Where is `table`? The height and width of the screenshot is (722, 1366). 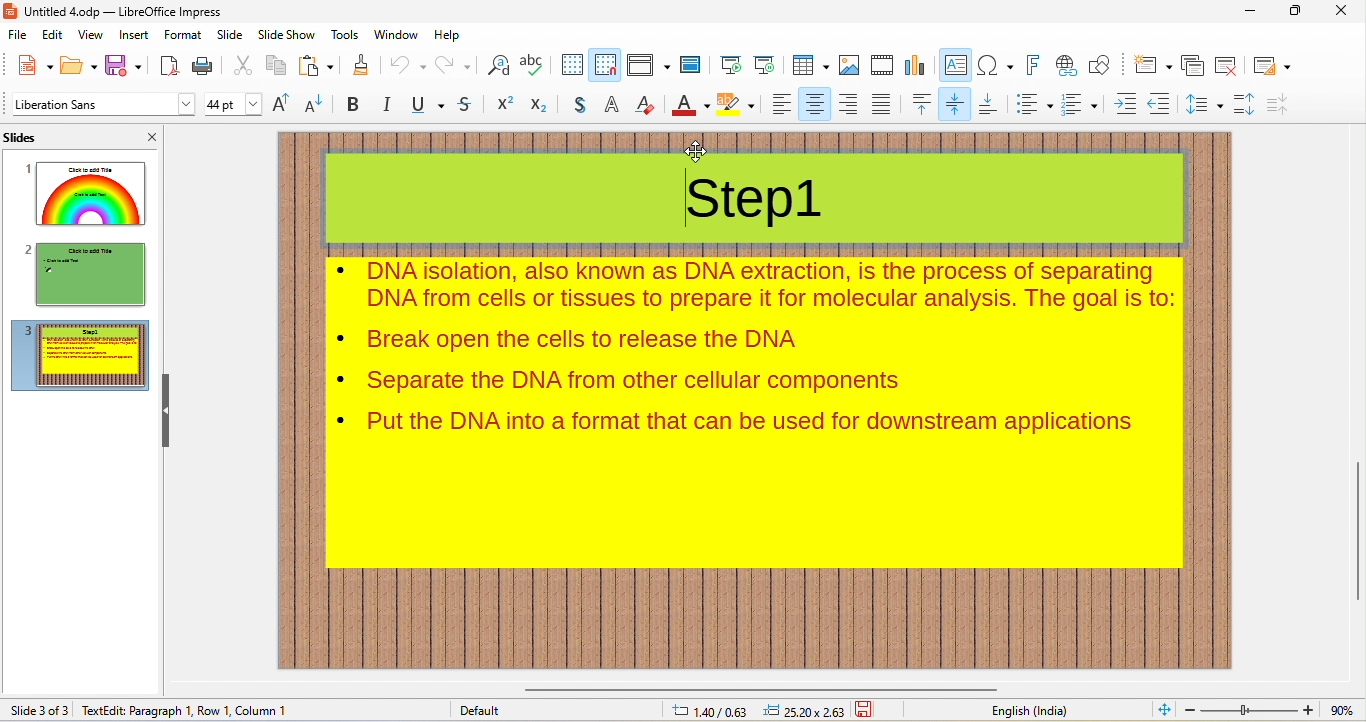
table is located at coordinates (807, 64).